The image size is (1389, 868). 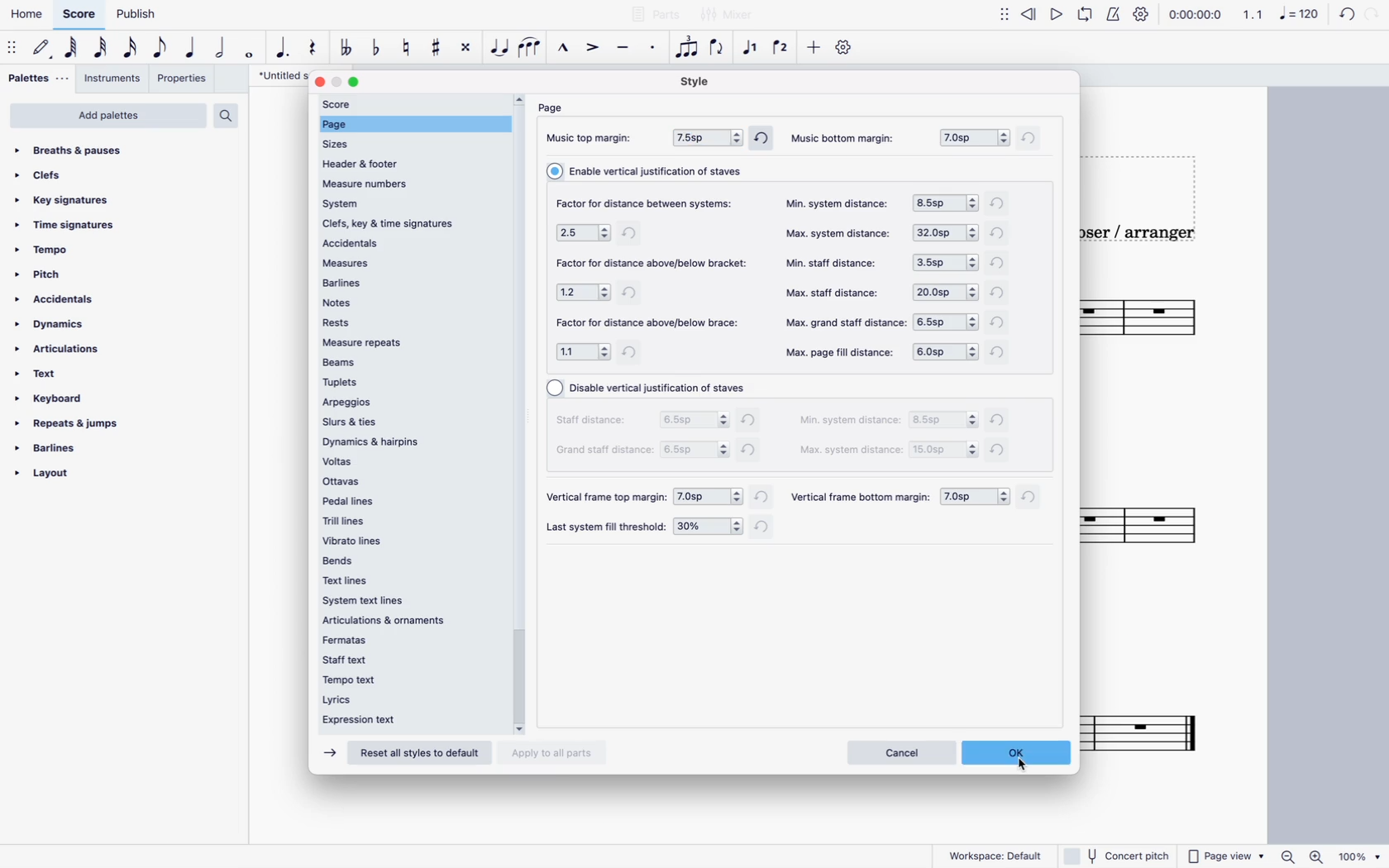 I want to click on max grand staff distance, so click(x=842, y=324).